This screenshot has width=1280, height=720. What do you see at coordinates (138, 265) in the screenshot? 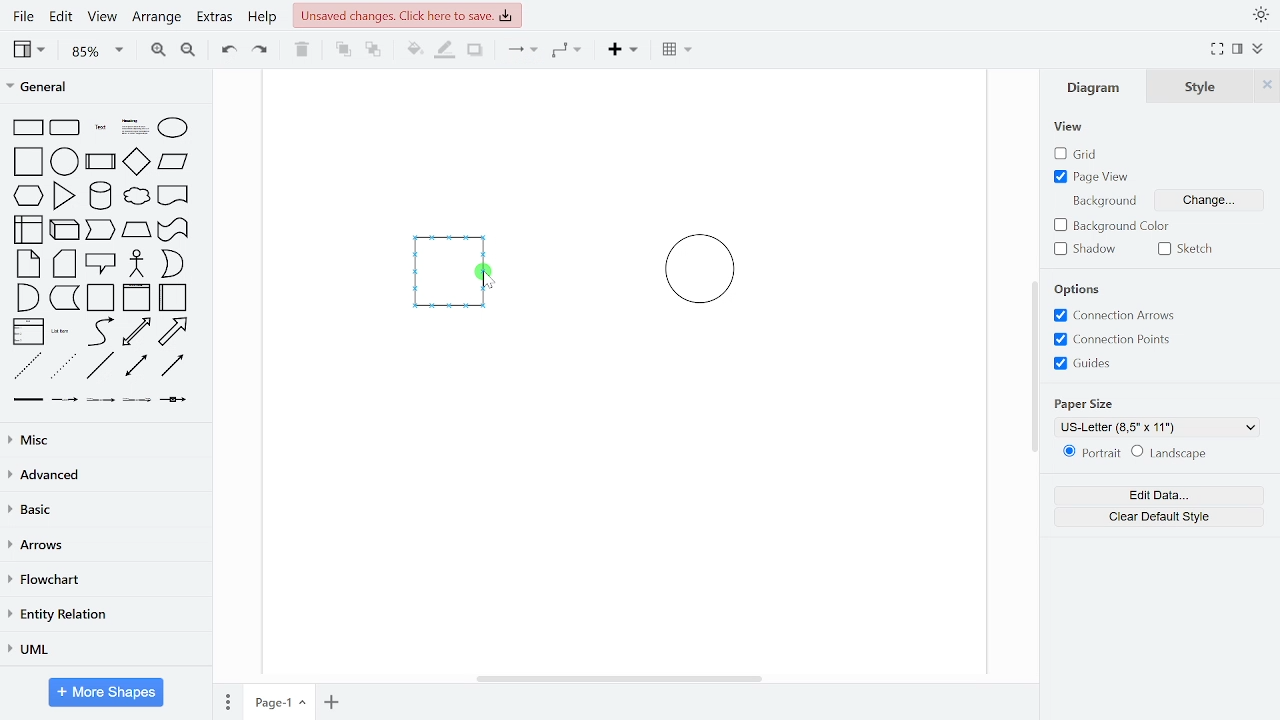
I see `actor` at bounding box center [138, 265].